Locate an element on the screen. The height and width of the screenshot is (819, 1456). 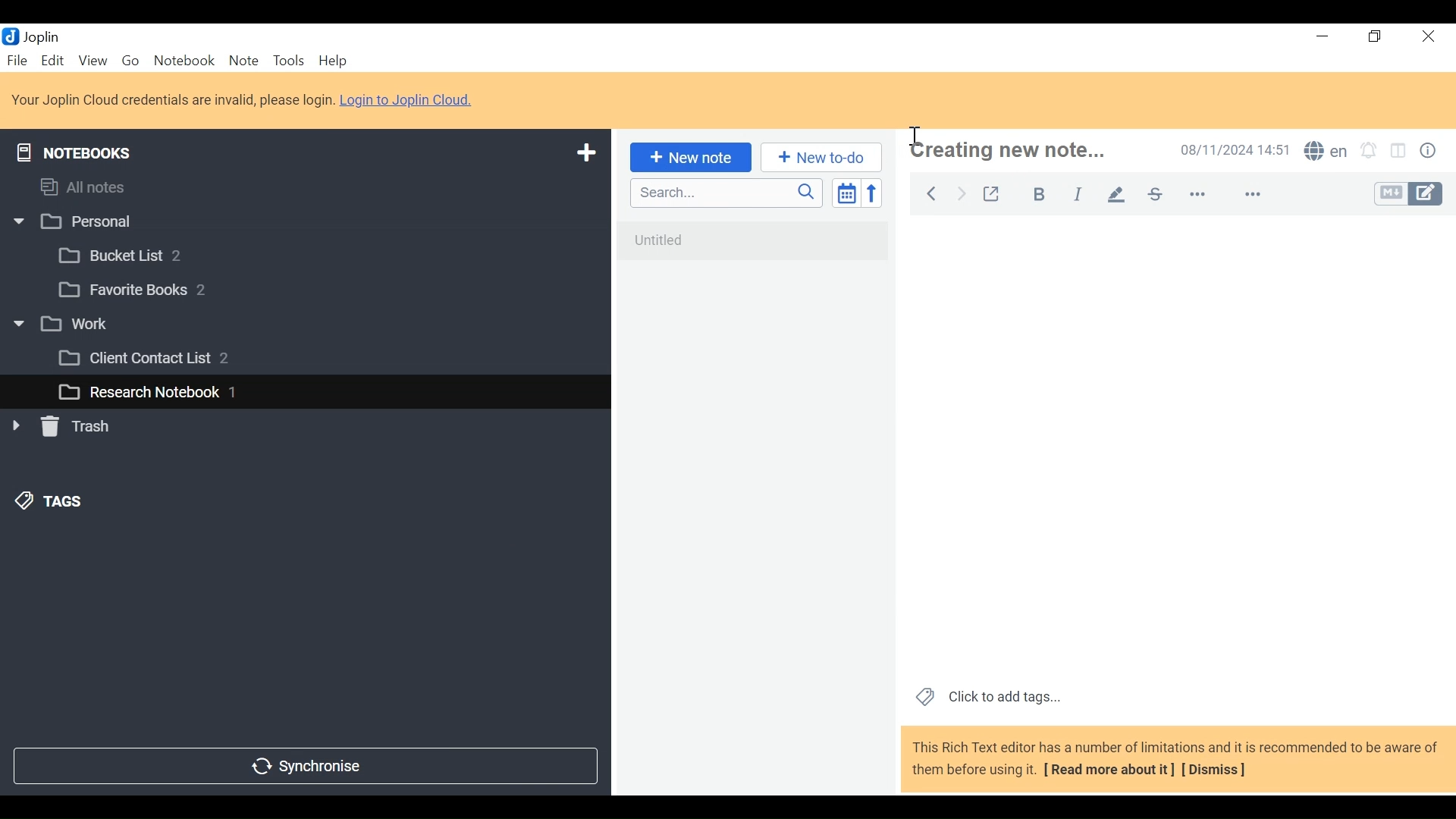
w |] Personal is located at coordinates (81, 223).